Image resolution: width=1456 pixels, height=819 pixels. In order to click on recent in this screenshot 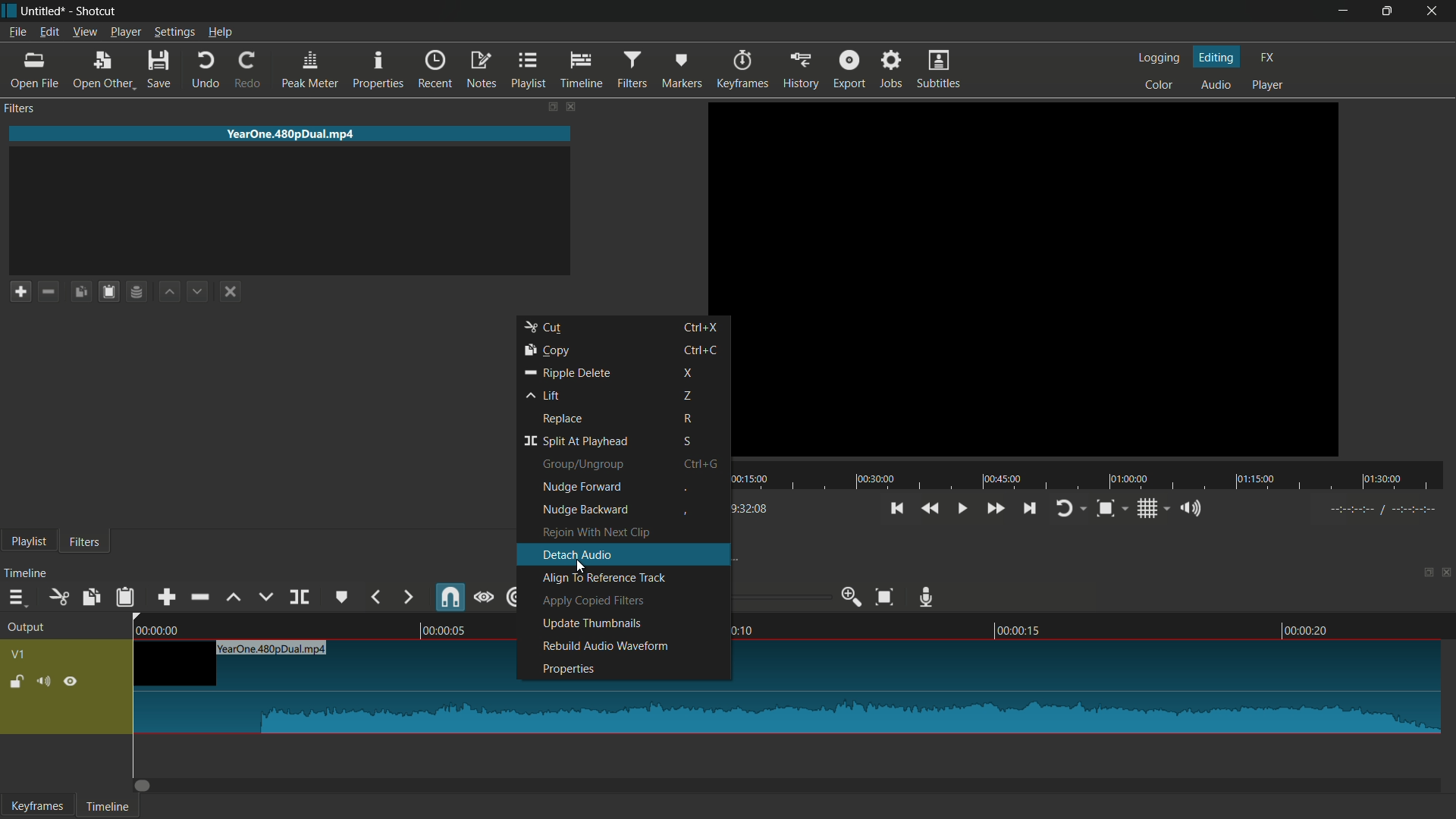, I will do `click(434, 71)`.